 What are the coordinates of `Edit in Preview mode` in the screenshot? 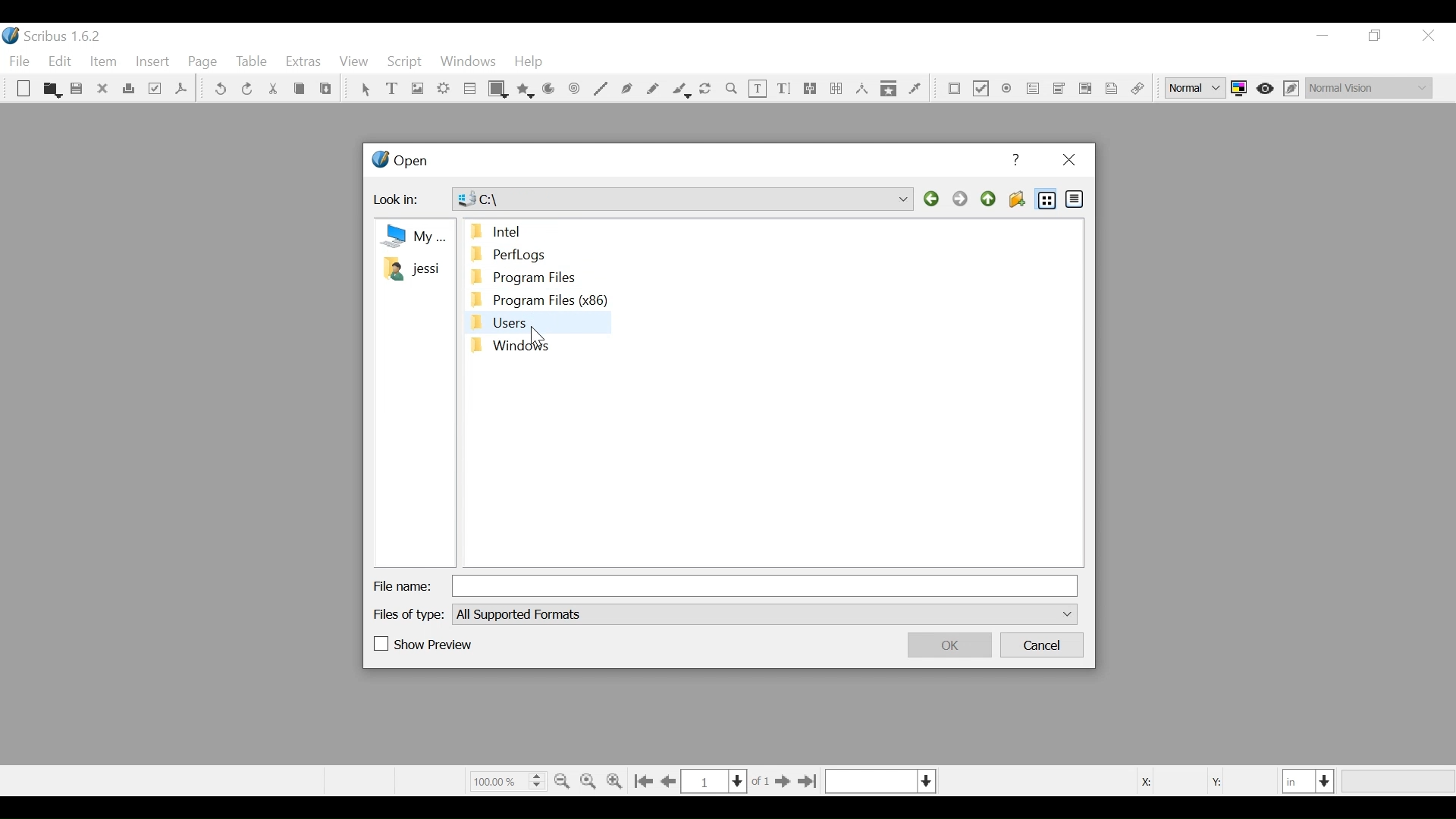 It's located at (1293, 88).